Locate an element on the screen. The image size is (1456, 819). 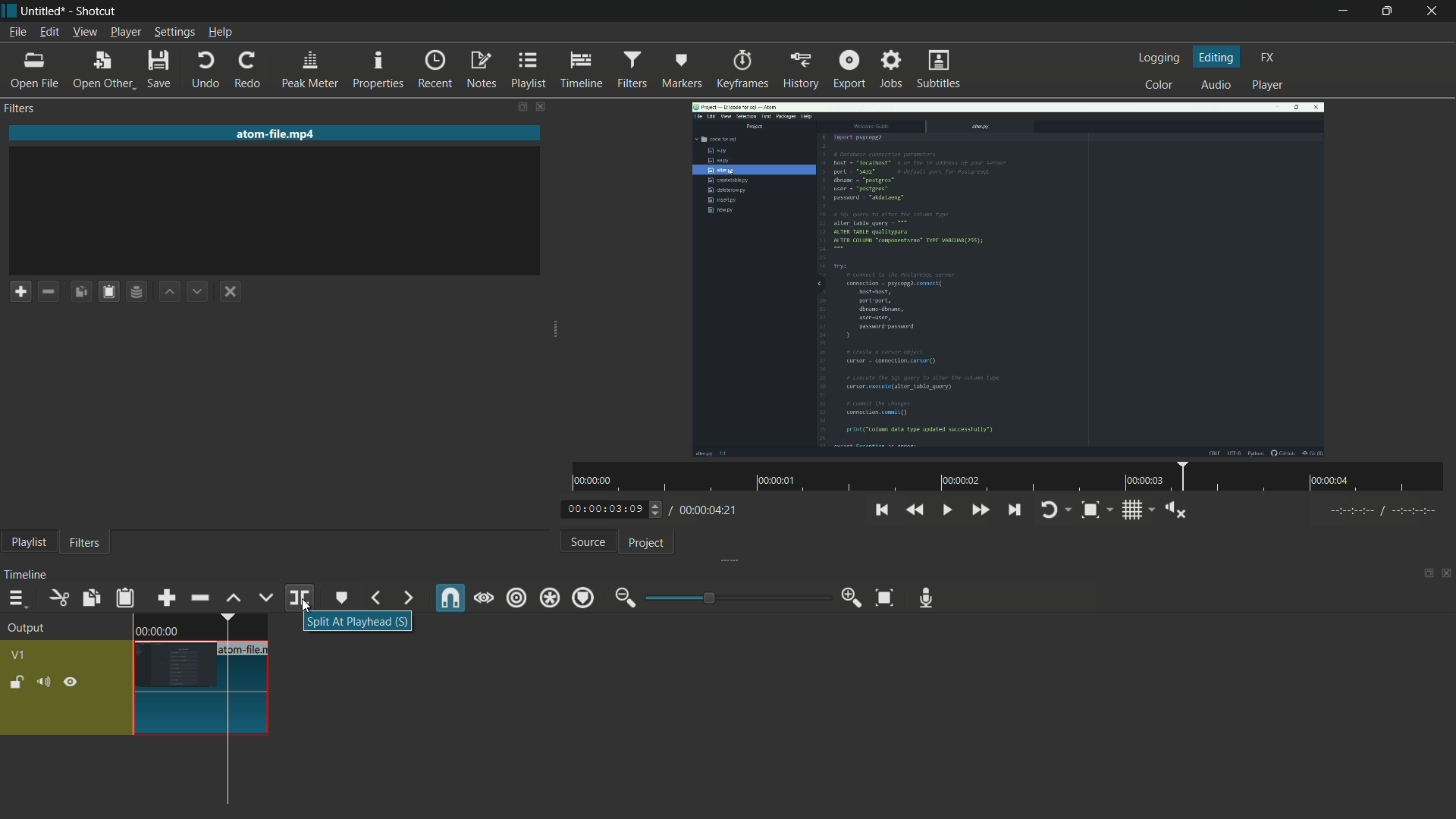
skip to the next point is located at coordinates (1013, 510).